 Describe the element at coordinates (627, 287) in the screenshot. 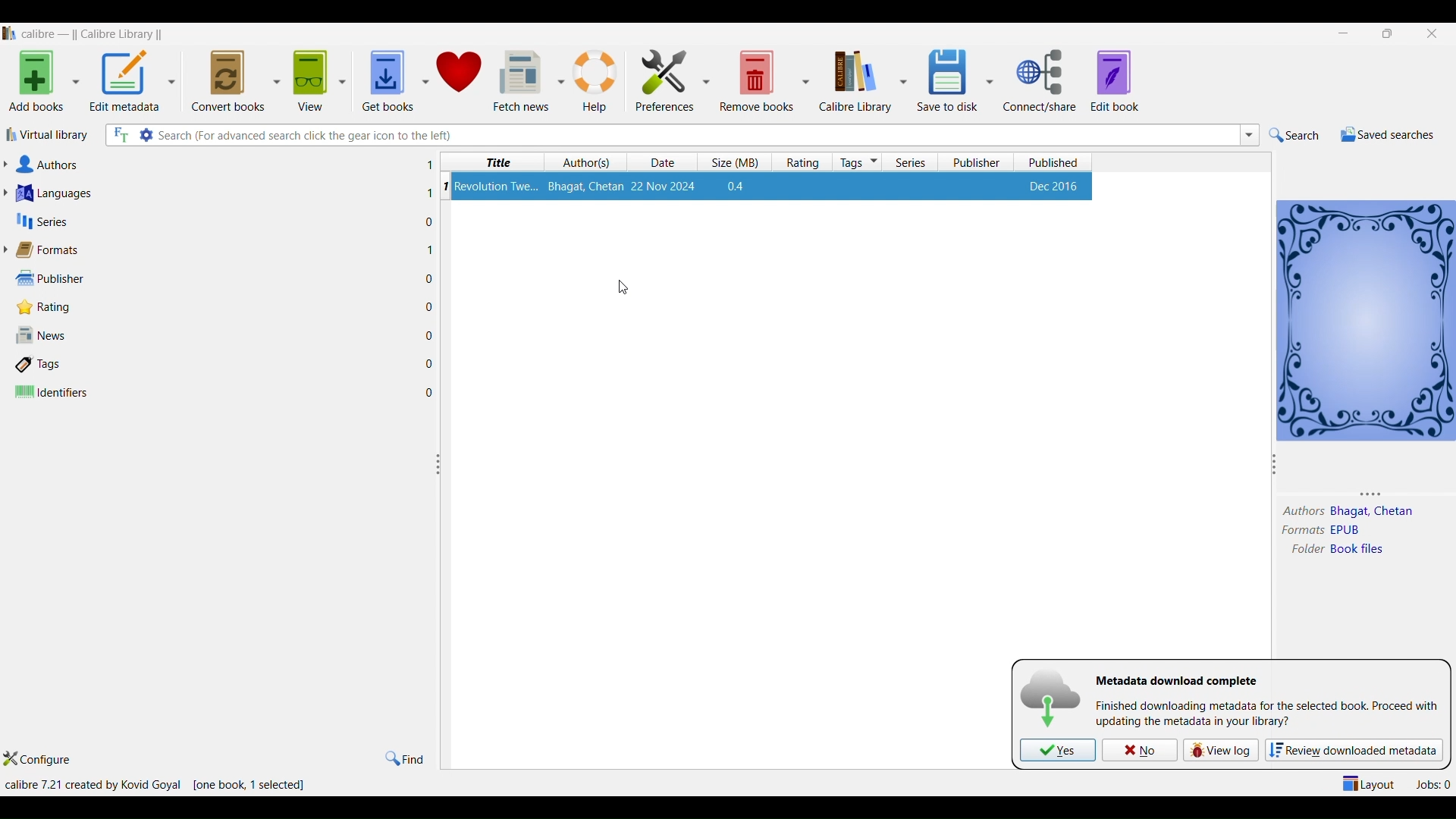

I see `cursor` at that location.